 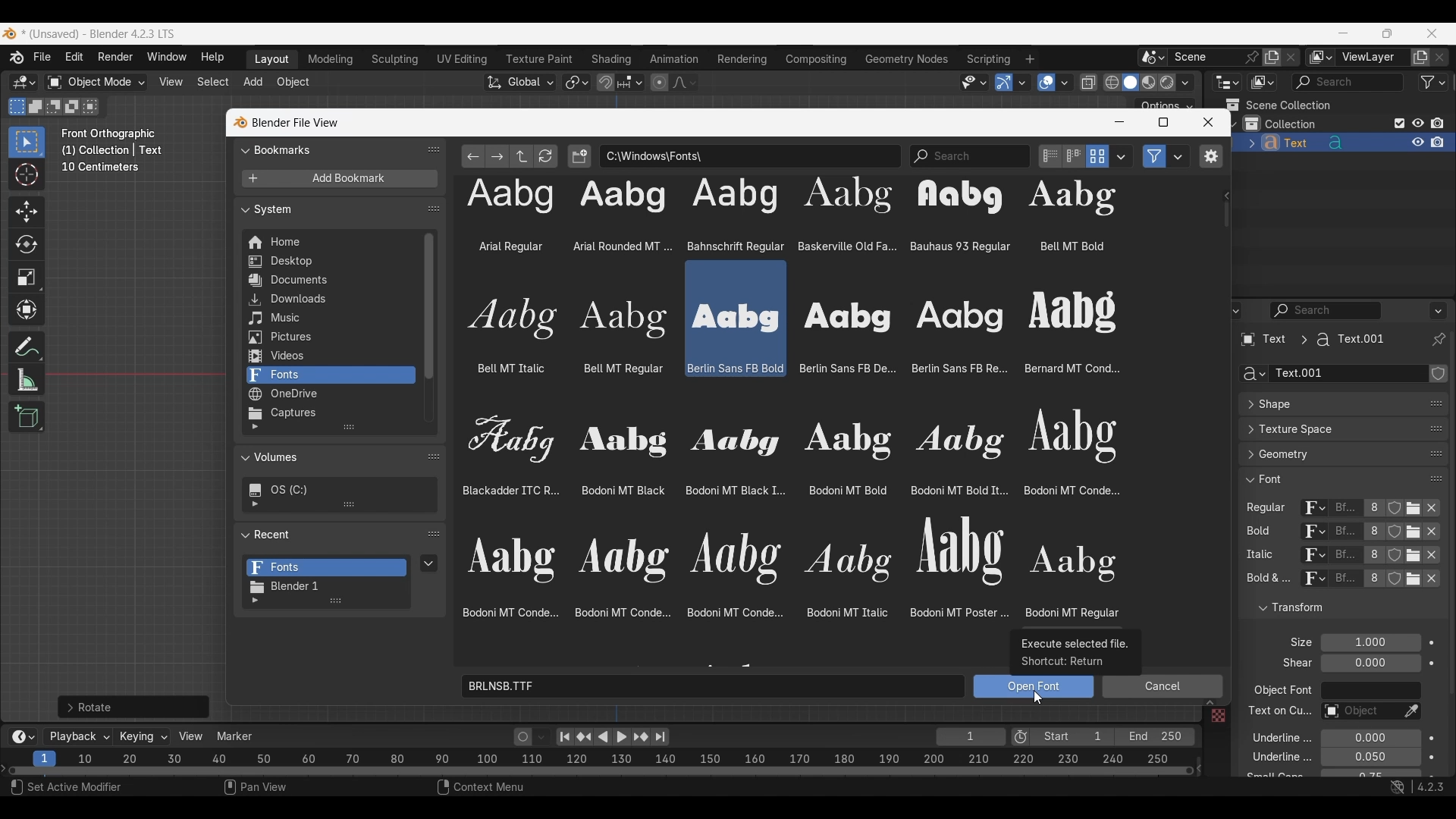 I want to click on Scripting workspace, so click(x=987, y=58).